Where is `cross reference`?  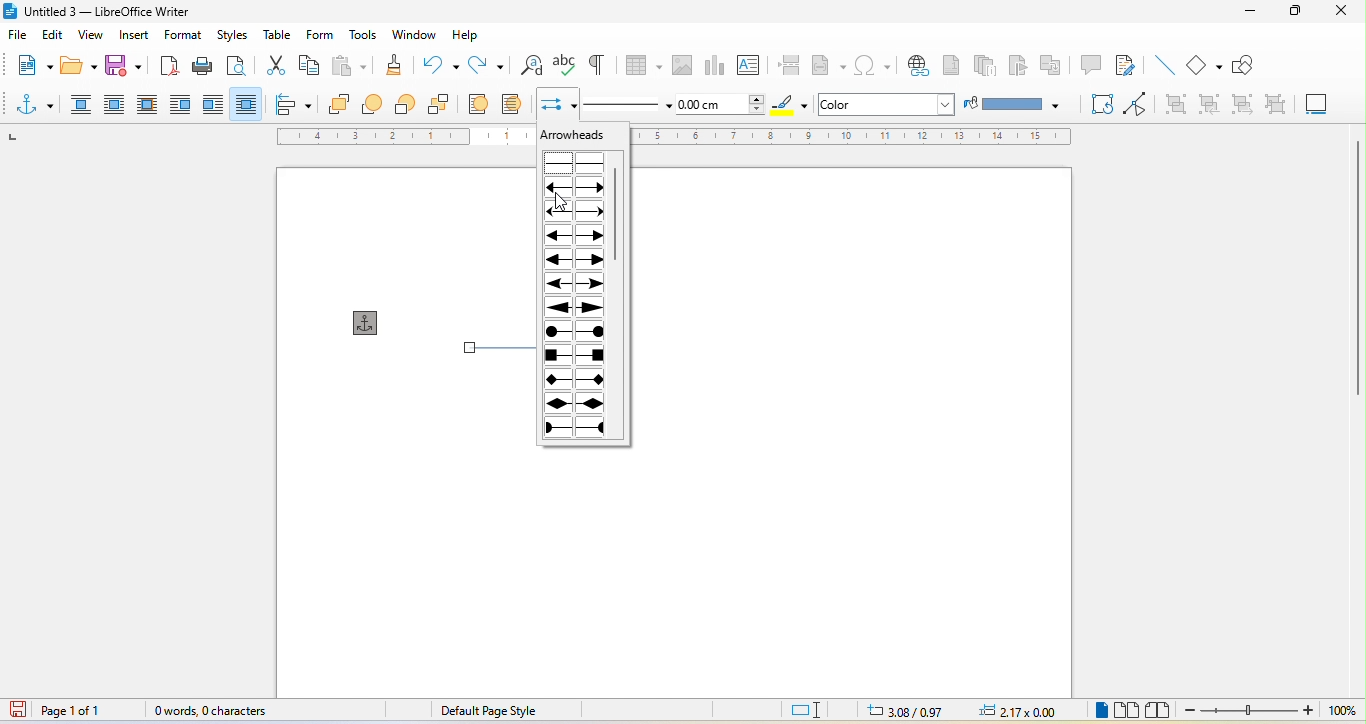
cross reference is located at coordinates (1051, 65).